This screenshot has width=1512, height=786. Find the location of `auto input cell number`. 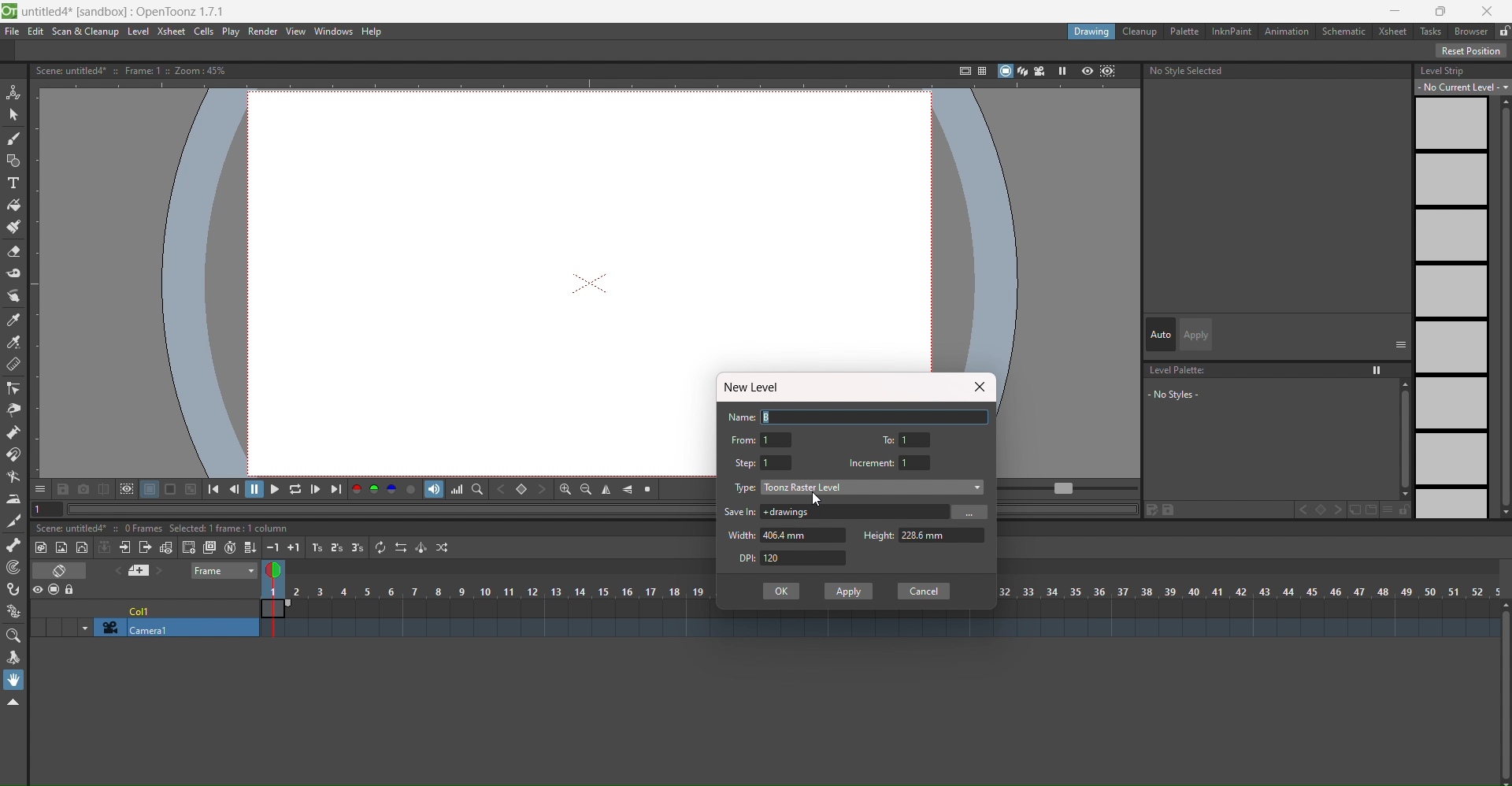

auto input cell number is located at coordinates (230, 547).